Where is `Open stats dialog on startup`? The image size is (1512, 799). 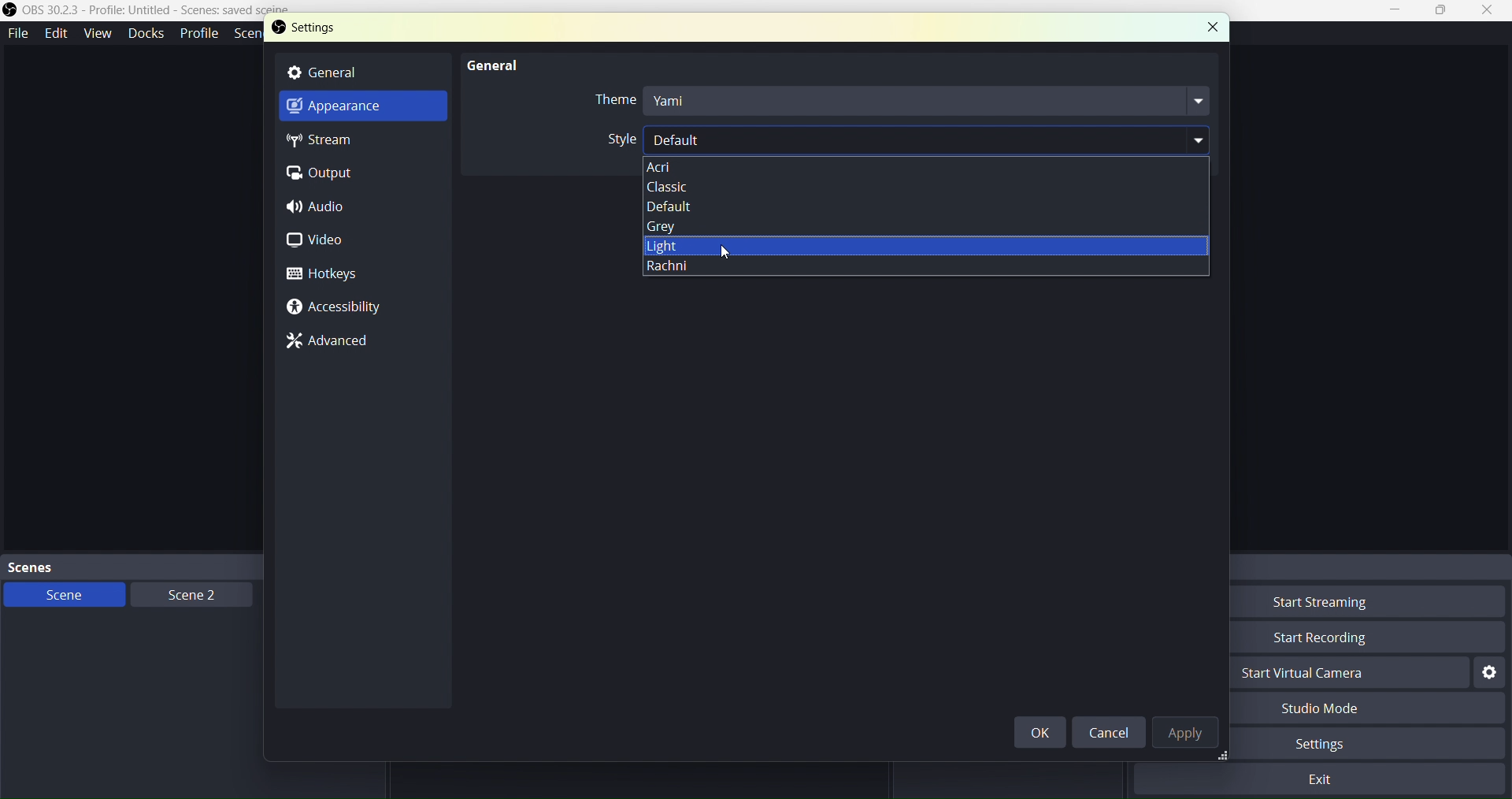
Open stats dialog on startup is located at coordinates (894, 138).